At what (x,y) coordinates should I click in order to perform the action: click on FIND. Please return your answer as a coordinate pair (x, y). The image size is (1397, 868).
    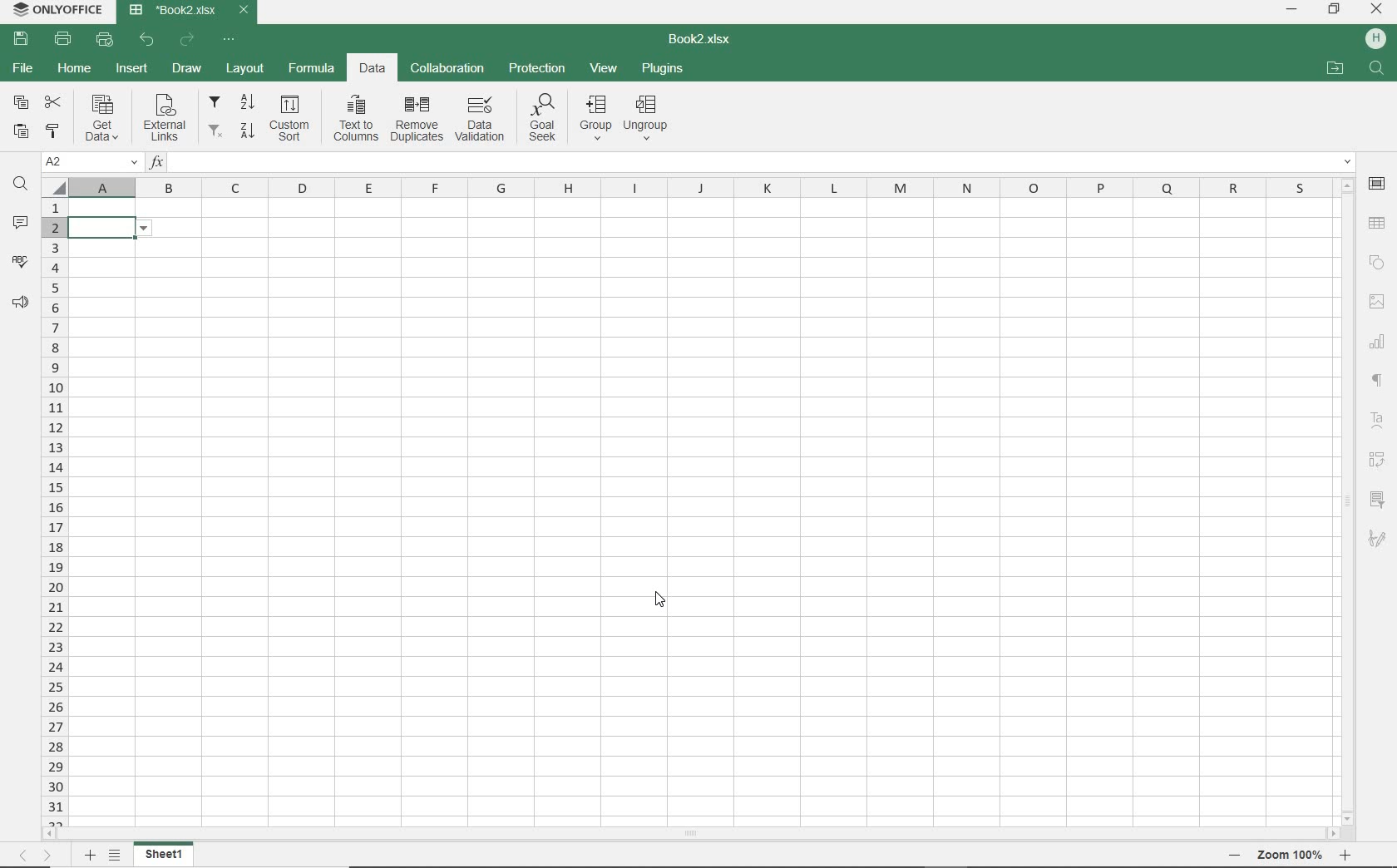
    Looking at the image, I should click on (19, 185).